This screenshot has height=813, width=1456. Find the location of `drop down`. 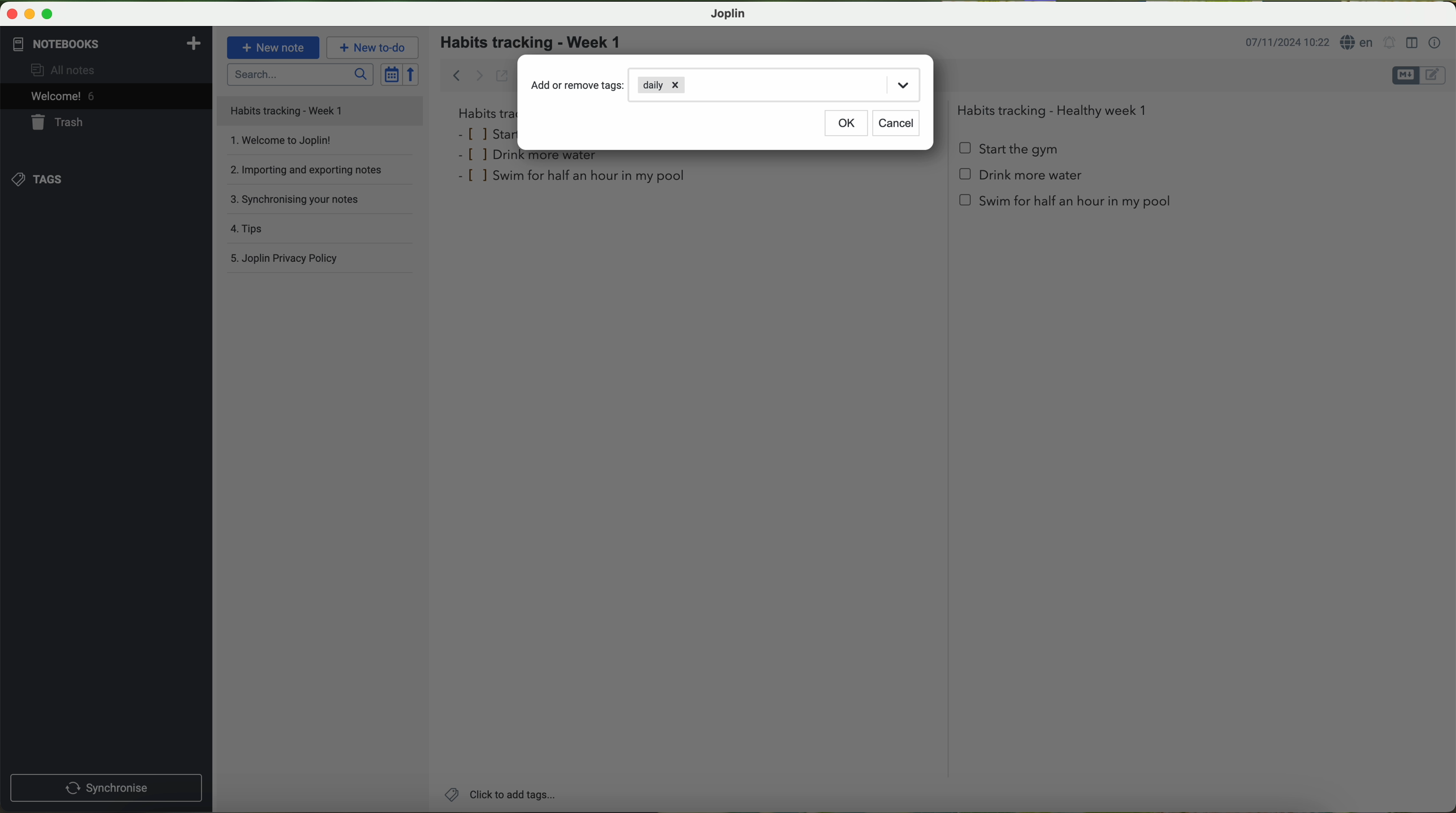

drop down is located at coordinates (903, 84).